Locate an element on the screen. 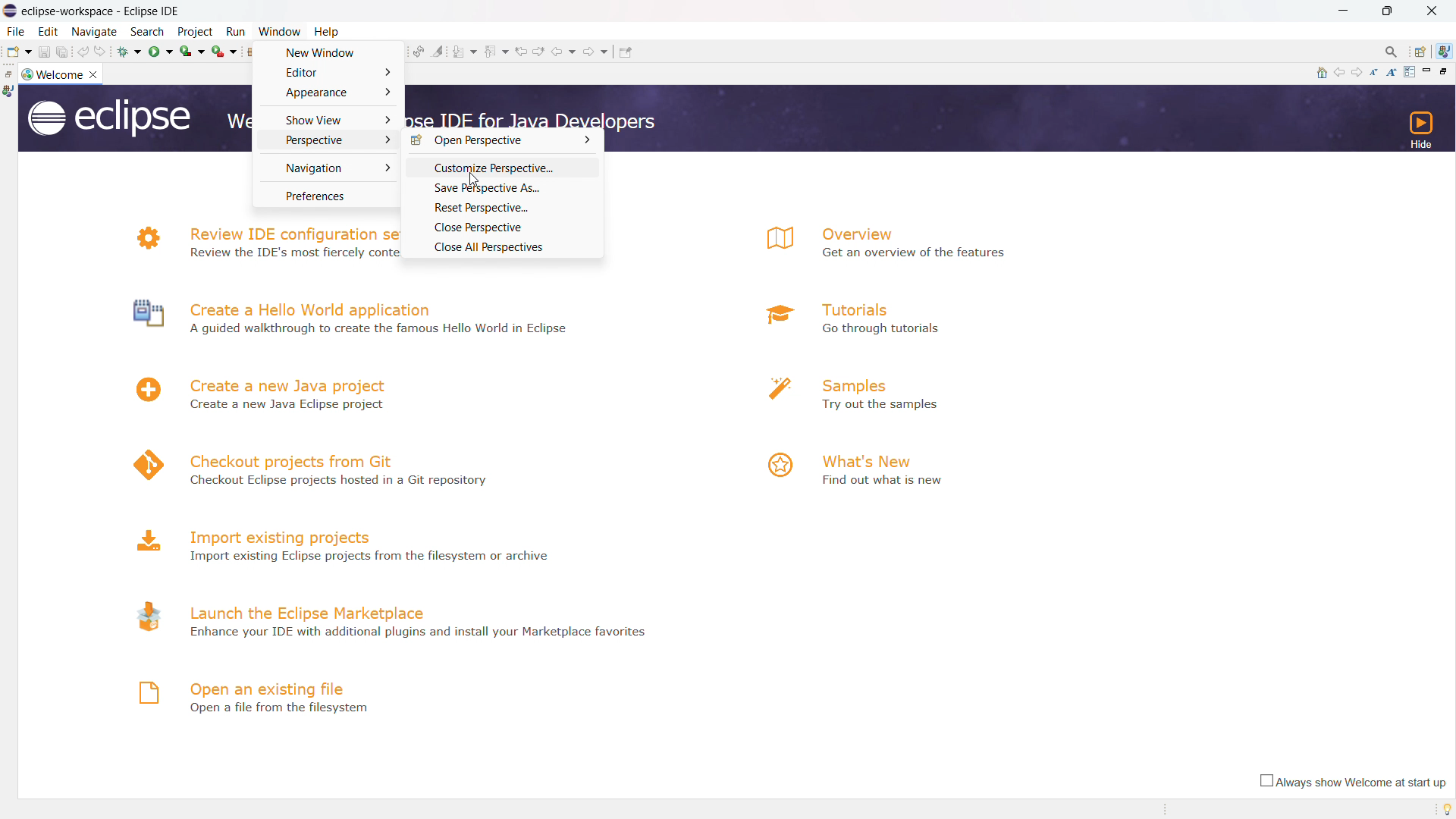 The width and height of the screenshot is (1456, 819). N Review the IDE's most fiercely contested preferences is located at coordinates (291, 256).